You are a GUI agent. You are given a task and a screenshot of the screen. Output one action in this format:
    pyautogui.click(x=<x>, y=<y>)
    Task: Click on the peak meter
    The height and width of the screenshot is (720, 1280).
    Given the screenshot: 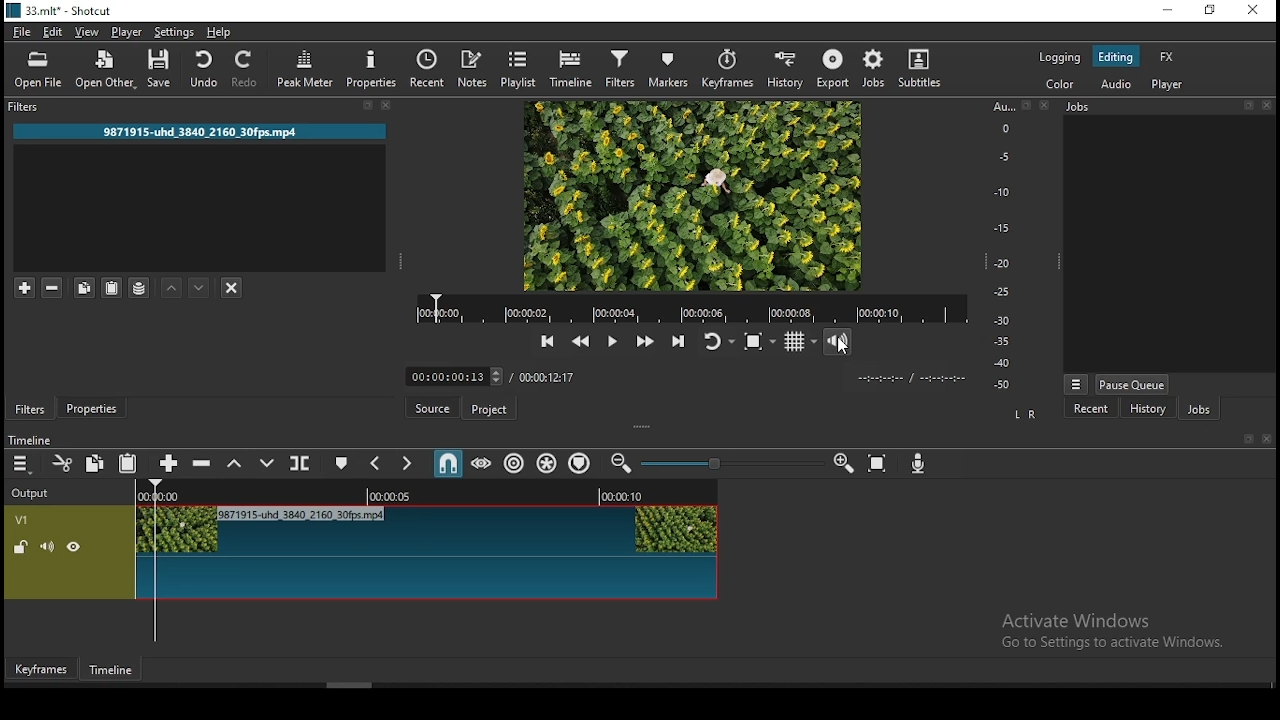 What is the action you would take?
    pyautogui.click(x=307, y=70)
    